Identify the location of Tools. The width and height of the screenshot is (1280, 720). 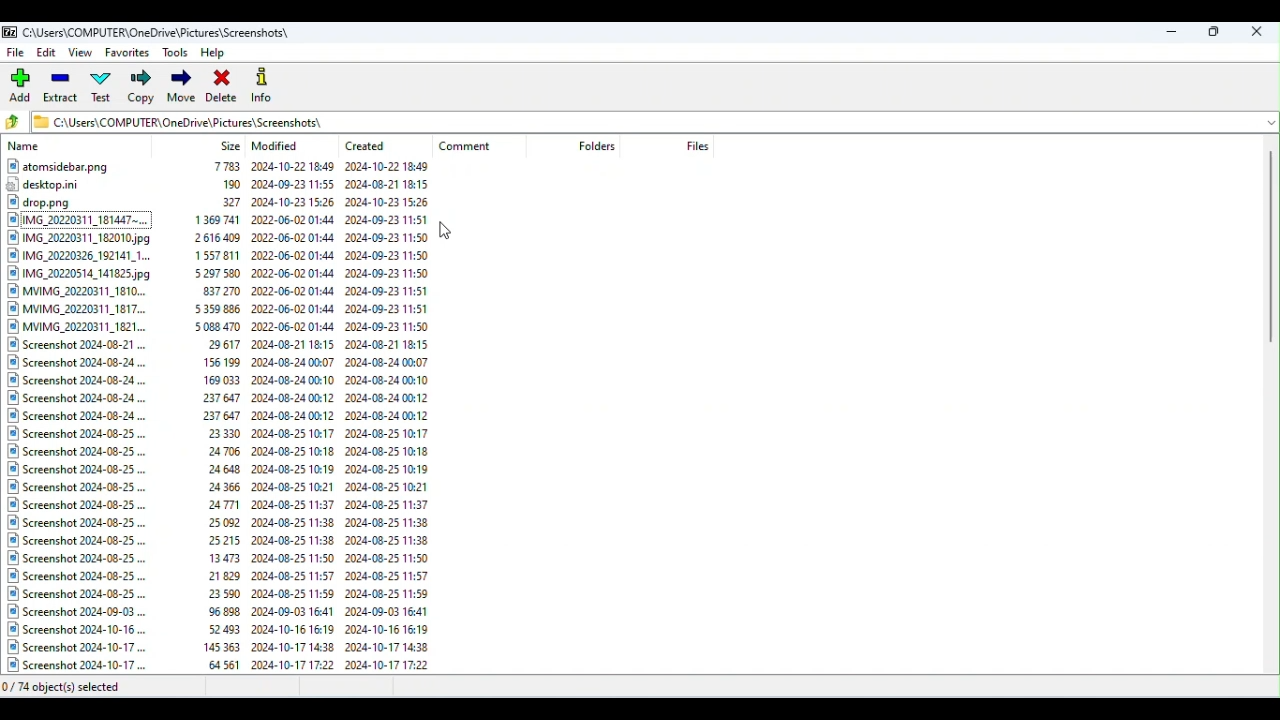
(176, 52).